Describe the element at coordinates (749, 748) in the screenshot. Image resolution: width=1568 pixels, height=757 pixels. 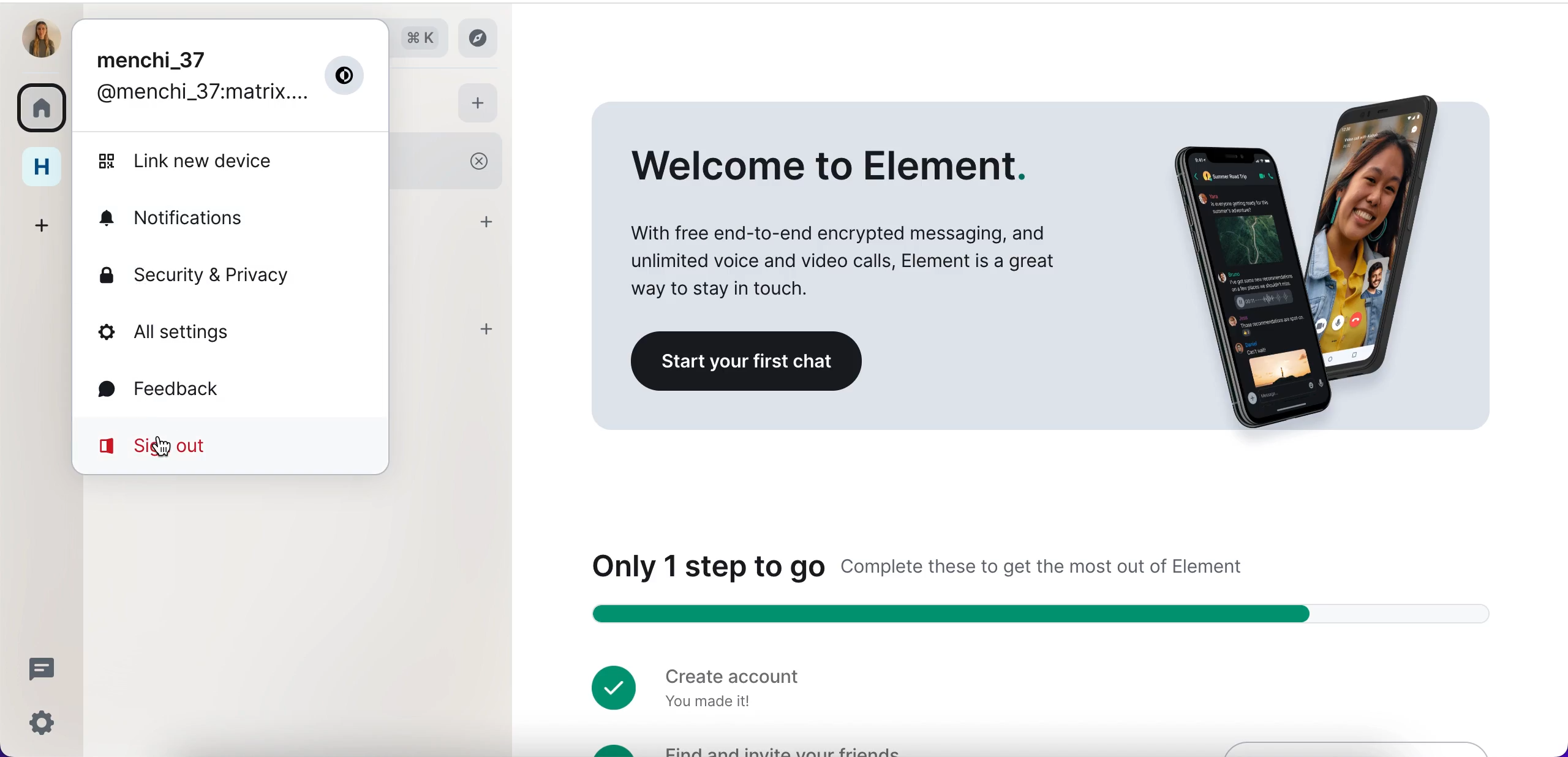
I see `find and invite your friends` at that location.